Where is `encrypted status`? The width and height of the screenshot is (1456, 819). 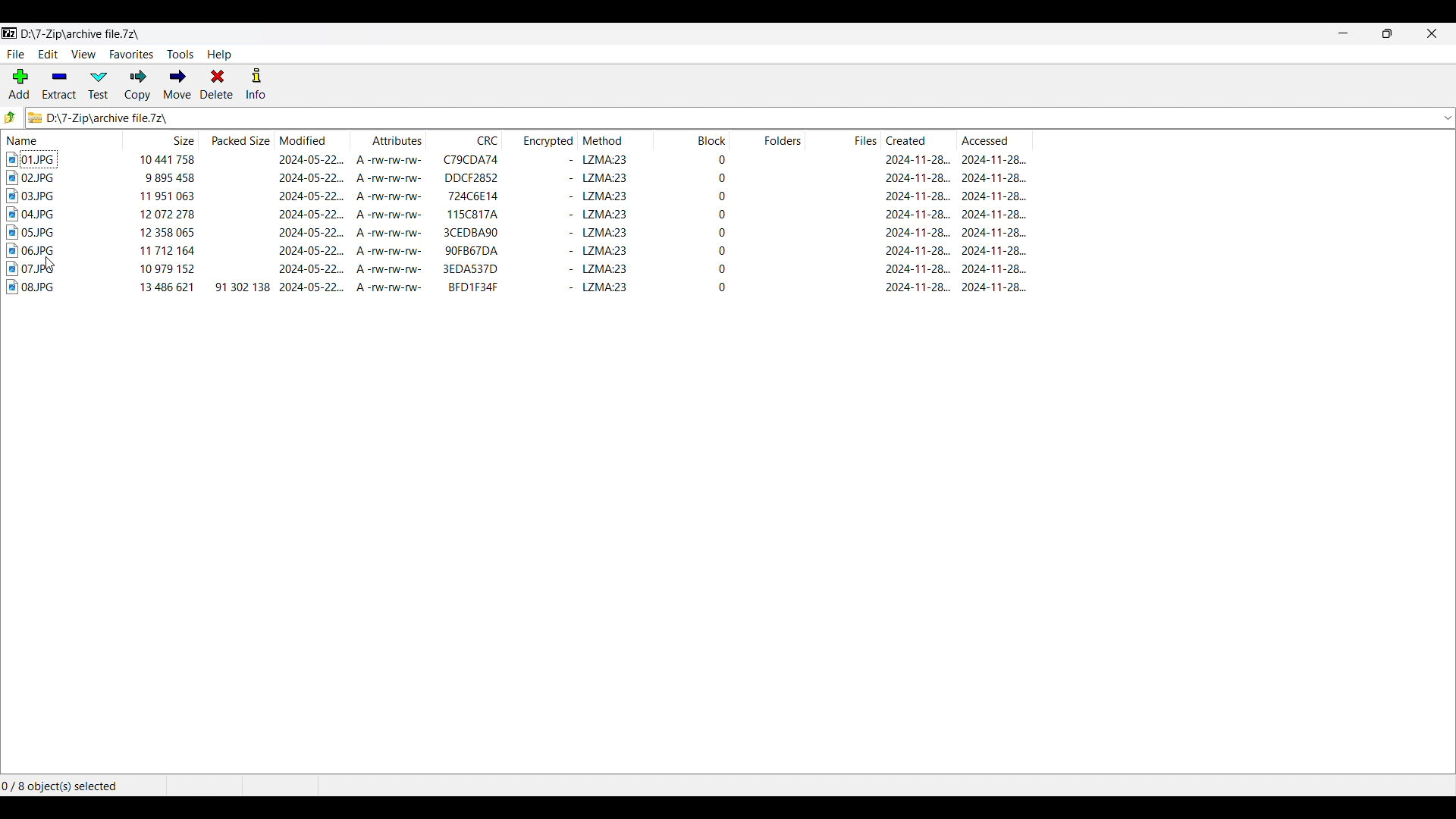
encrypted status is located at coordinates (569, 196).